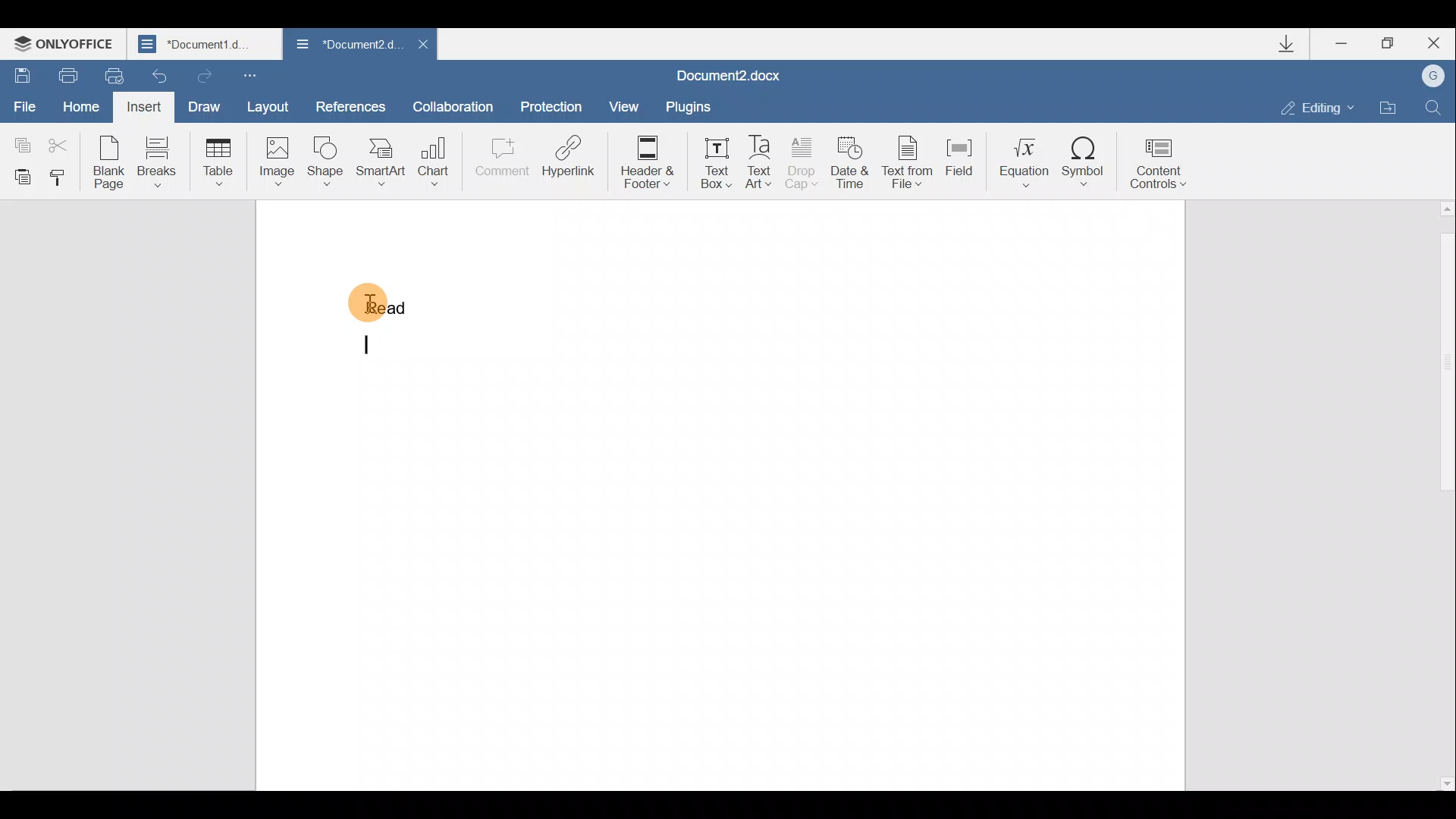 The image size is (1456, 819). Describe the element at coordinates (206, 105) in the screenshot. I see `Draw` at that location.